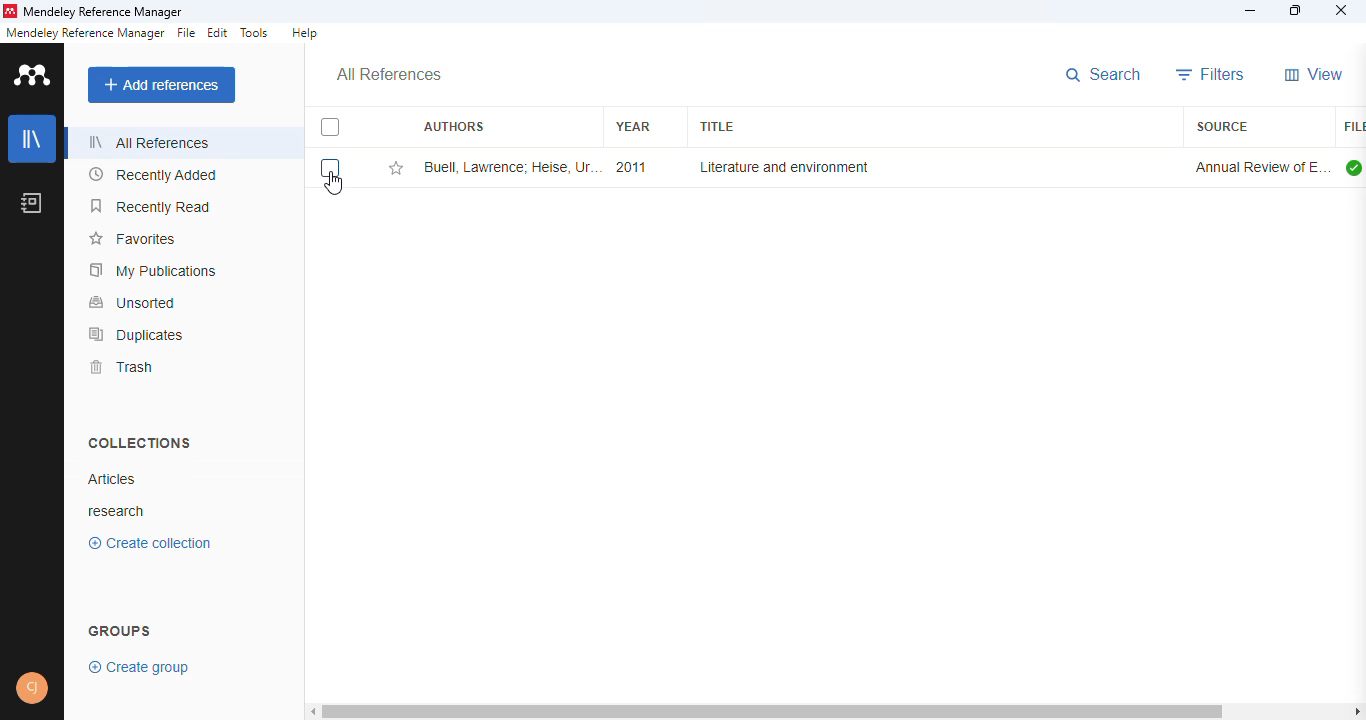 The width and height of the screenshot is (1366, 720). Describe the element at coordinates (255, 33) in the screenshot. I see `tools` at that location.